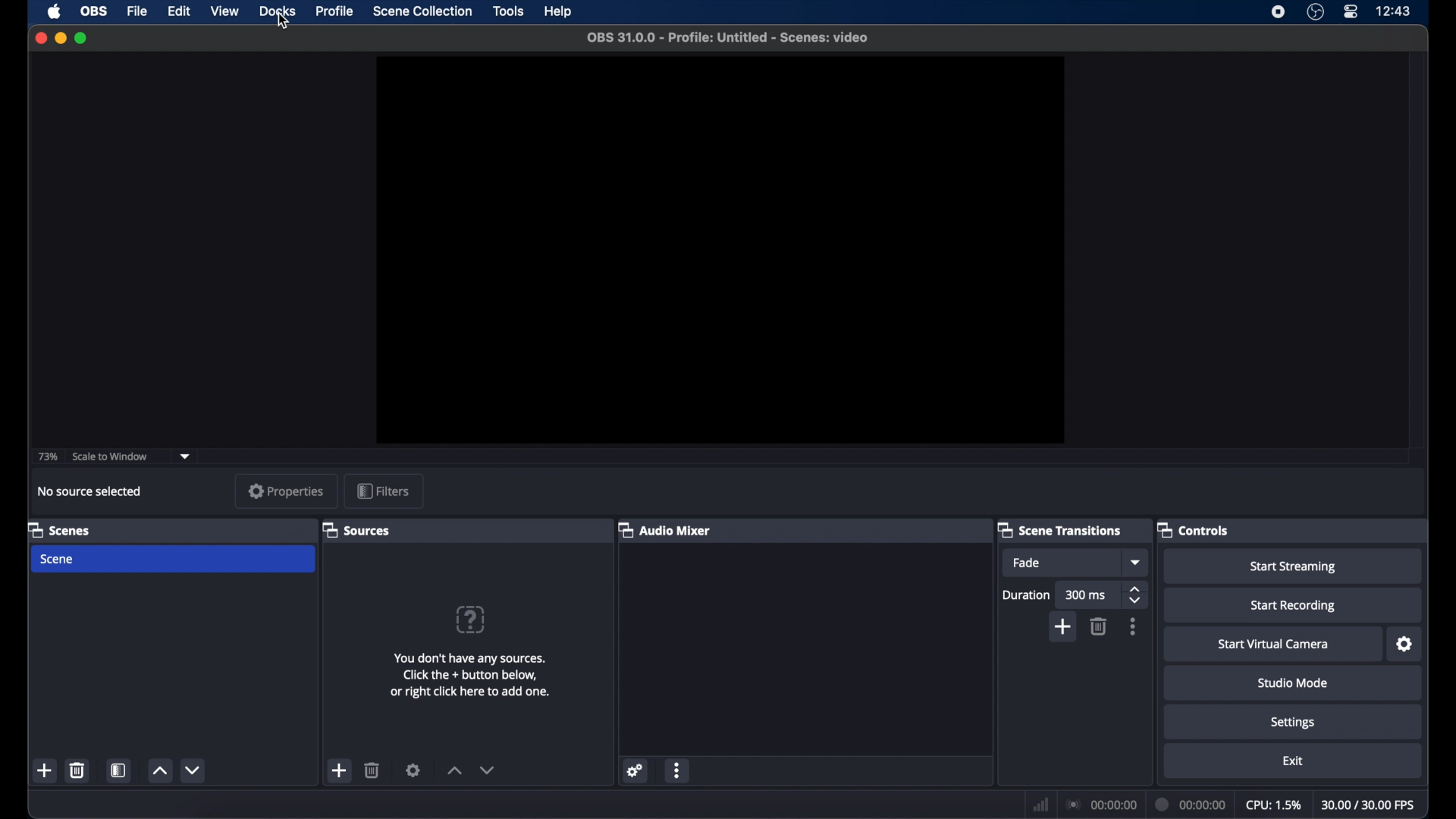  What do you see at coordinates (1136, 595) in the screenshot?
I see `stepper buttons` at bounding box center [1136, 595].